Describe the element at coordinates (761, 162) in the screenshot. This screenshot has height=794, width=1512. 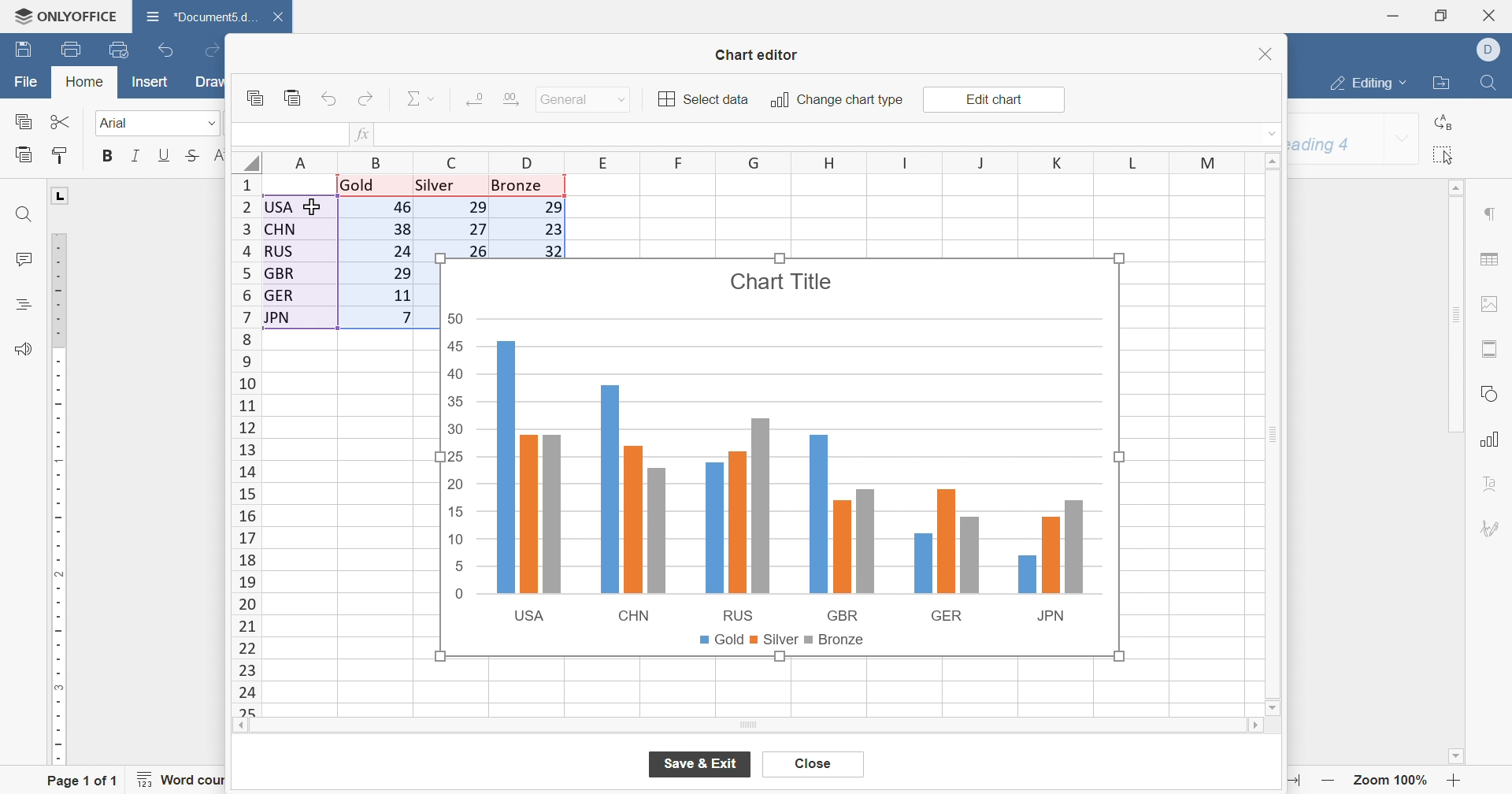
I see `column names` at that location.